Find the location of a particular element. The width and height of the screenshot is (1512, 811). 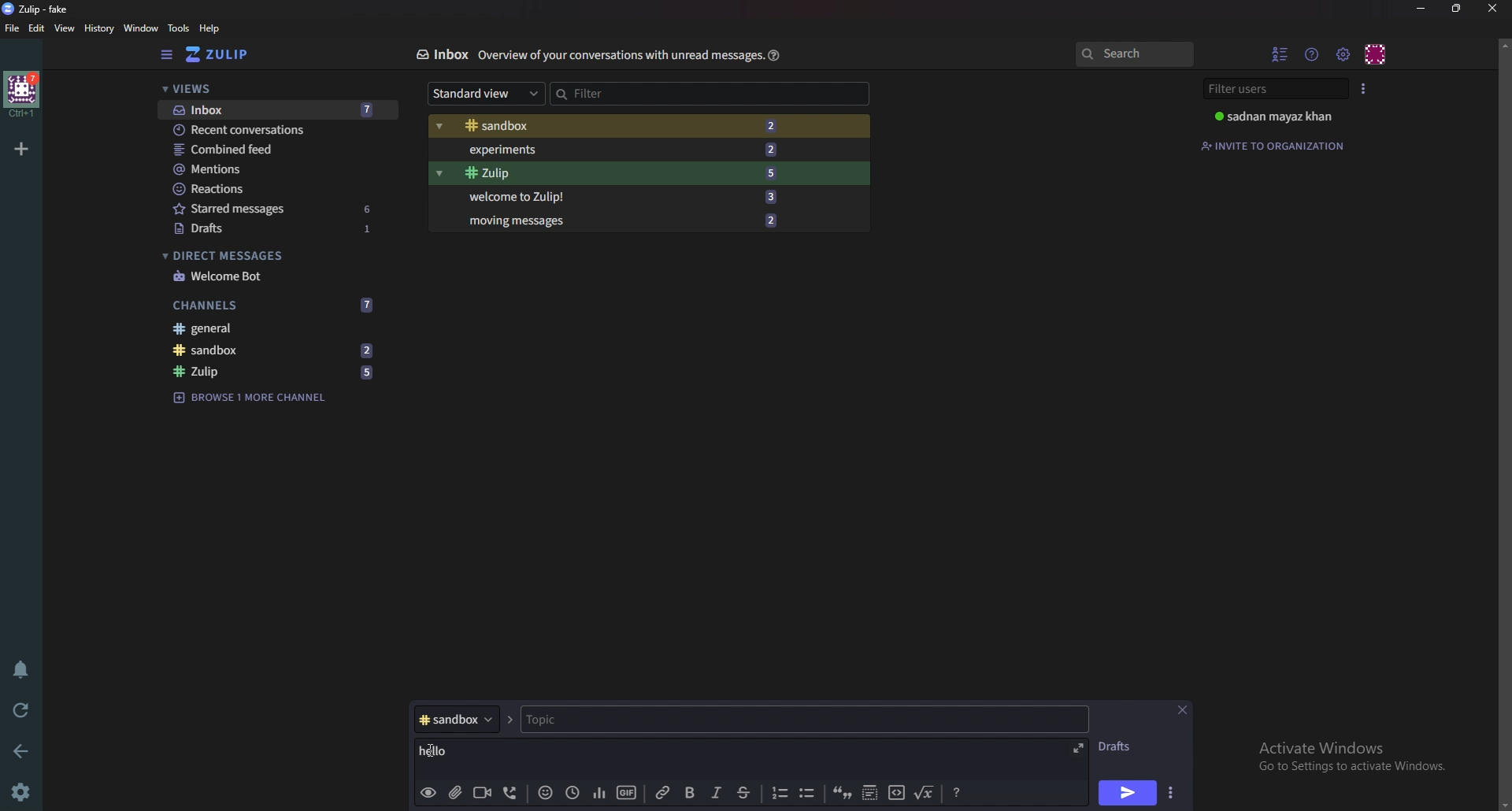

Browse 1 more channel is located at coordinates (257, 398).